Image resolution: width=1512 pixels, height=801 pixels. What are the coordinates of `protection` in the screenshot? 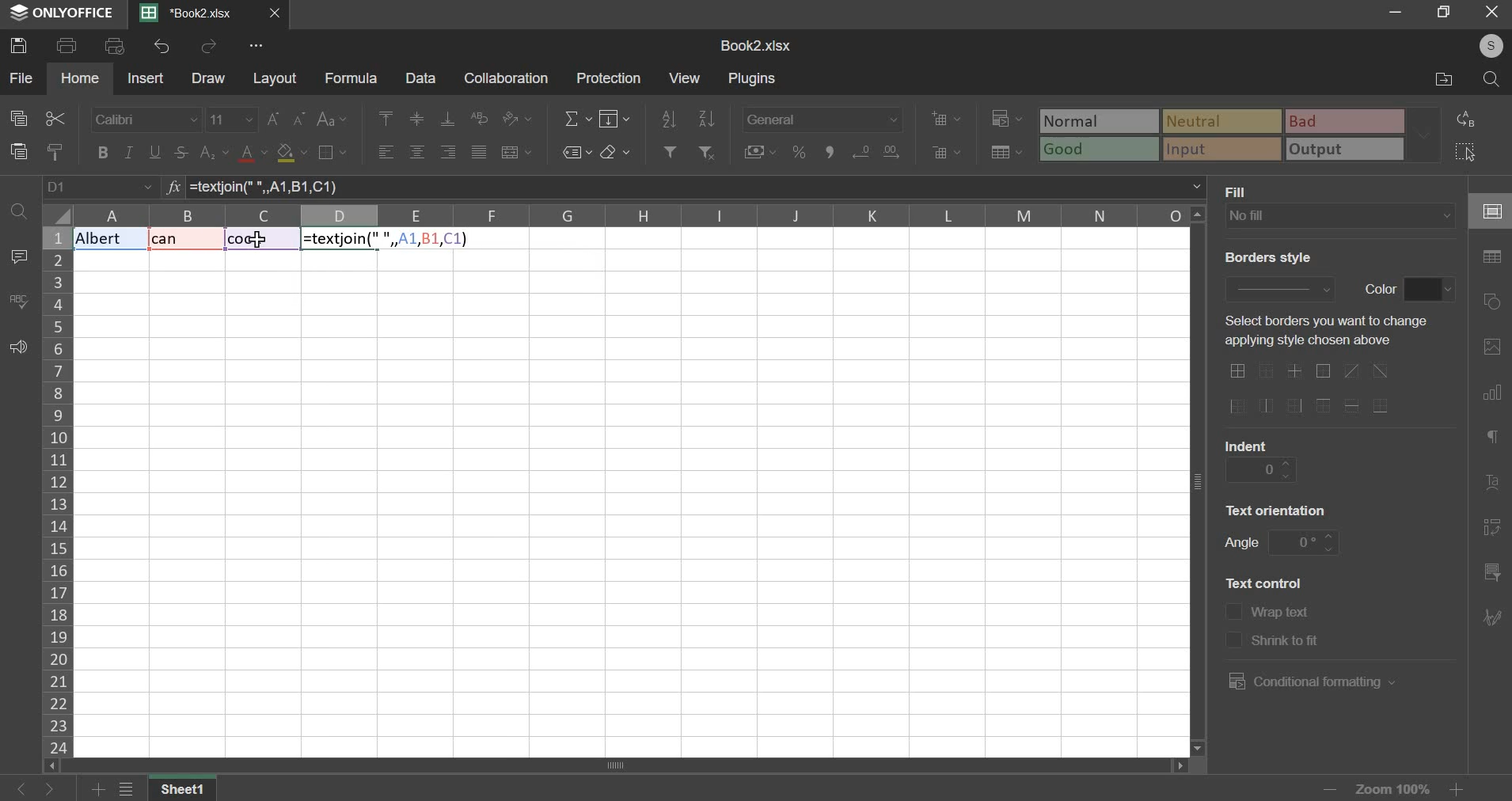 It's located at (612, 78).